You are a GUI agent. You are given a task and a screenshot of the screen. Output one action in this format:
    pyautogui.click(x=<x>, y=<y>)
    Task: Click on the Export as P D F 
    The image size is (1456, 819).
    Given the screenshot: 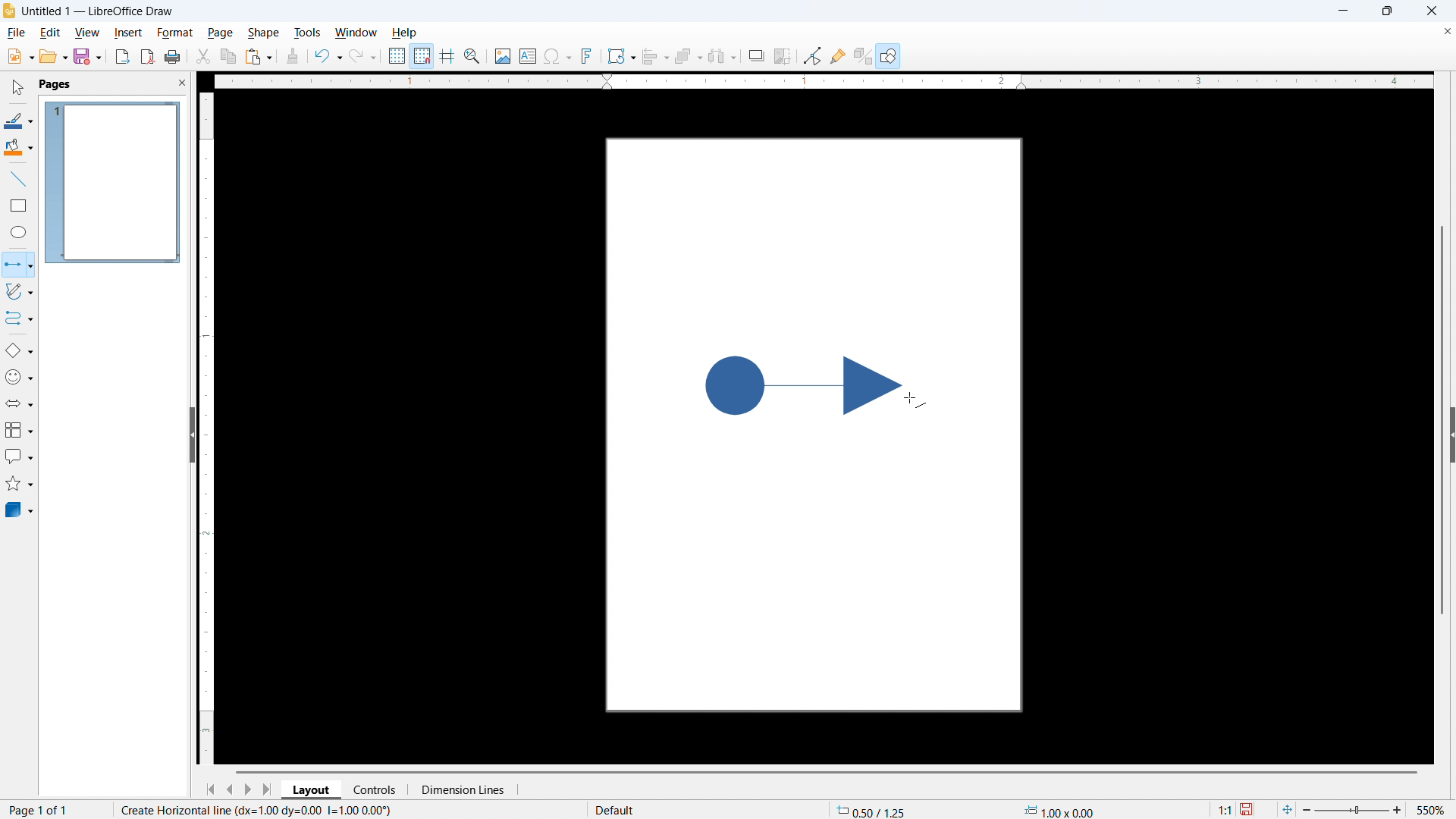 What is the action you would take?
    pyautogui.click(x=148, y=56)
    